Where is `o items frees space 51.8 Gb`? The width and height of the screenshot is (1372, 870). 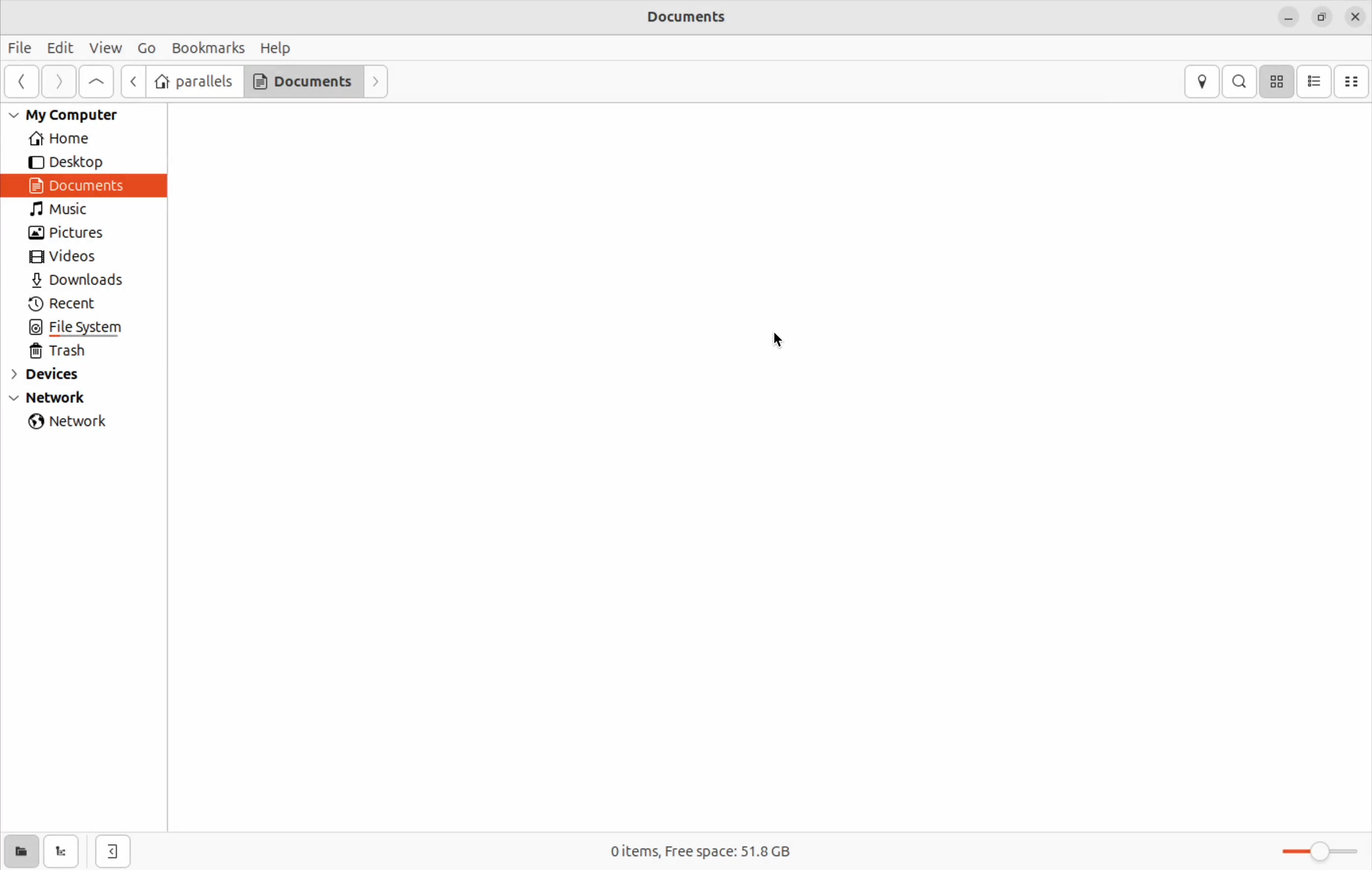 o items frees space 51.8 Gb is located at coordinates (702, 848).